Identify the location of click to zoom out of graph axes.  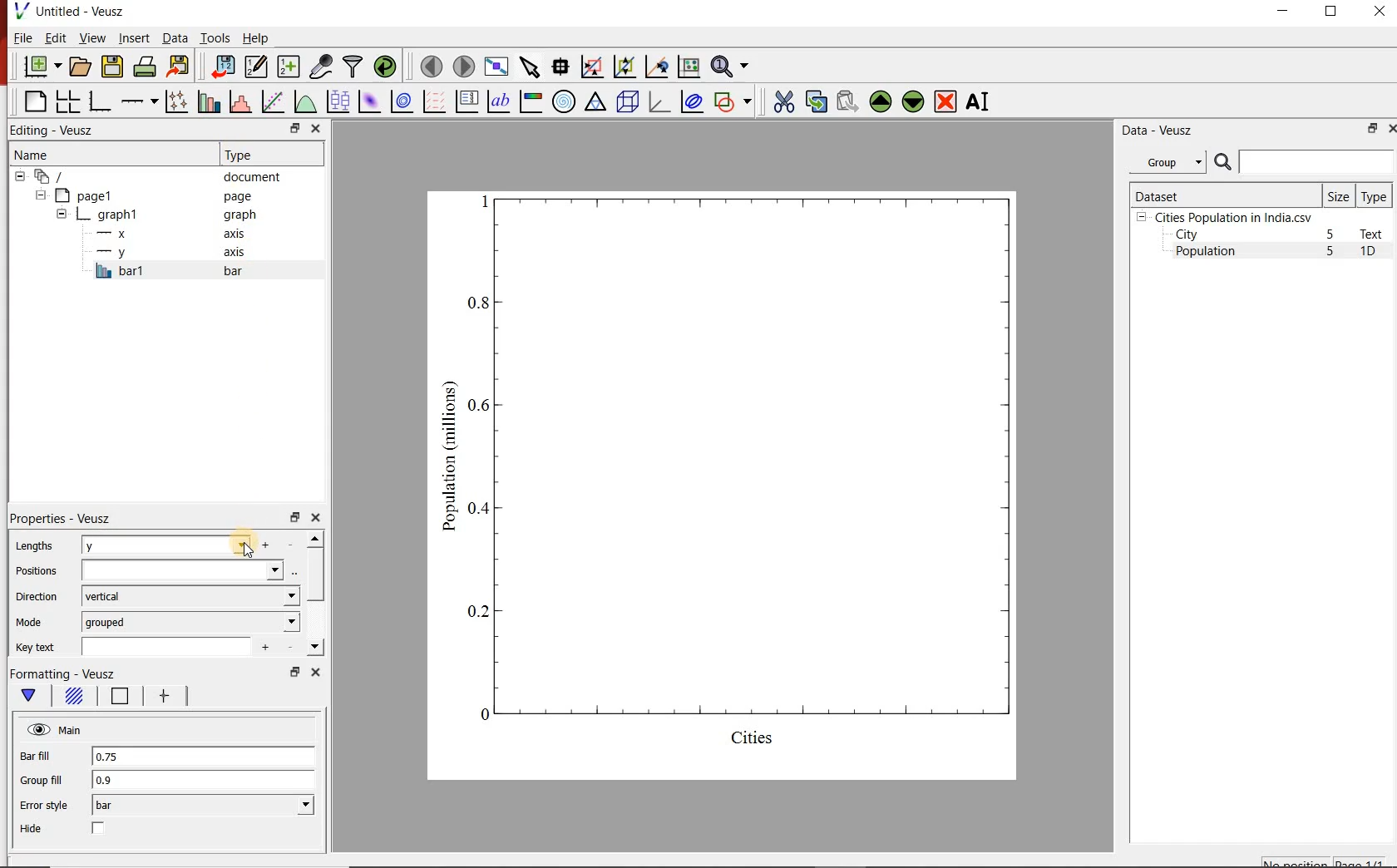
(622, 68).